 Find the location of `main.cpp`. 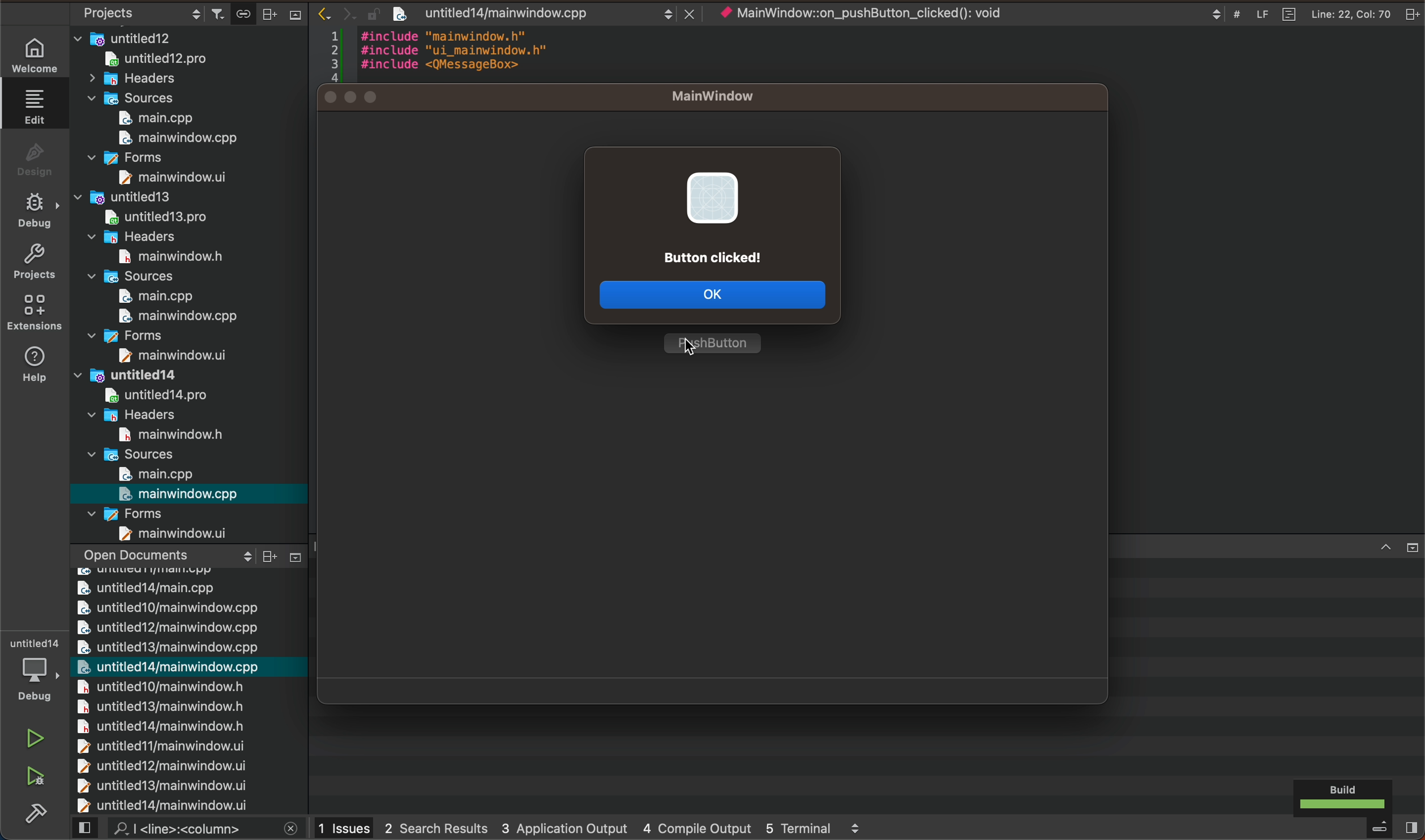

main.cpp is located at coordinates (160, 474).